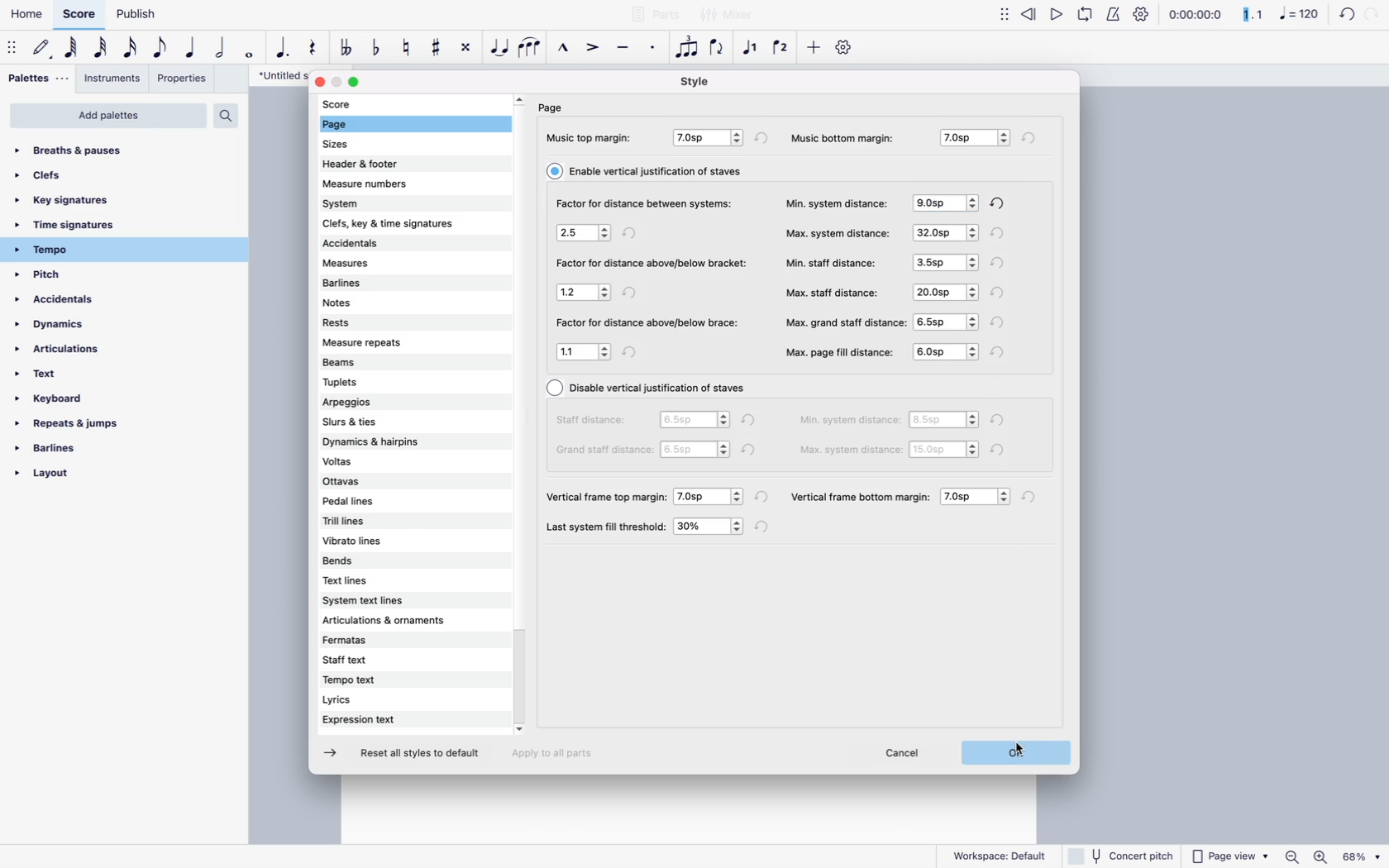  What do you see at coordinates (846, 321) in the screenshot?
I see `max grand staff distance` at bounding box center [846, 321].